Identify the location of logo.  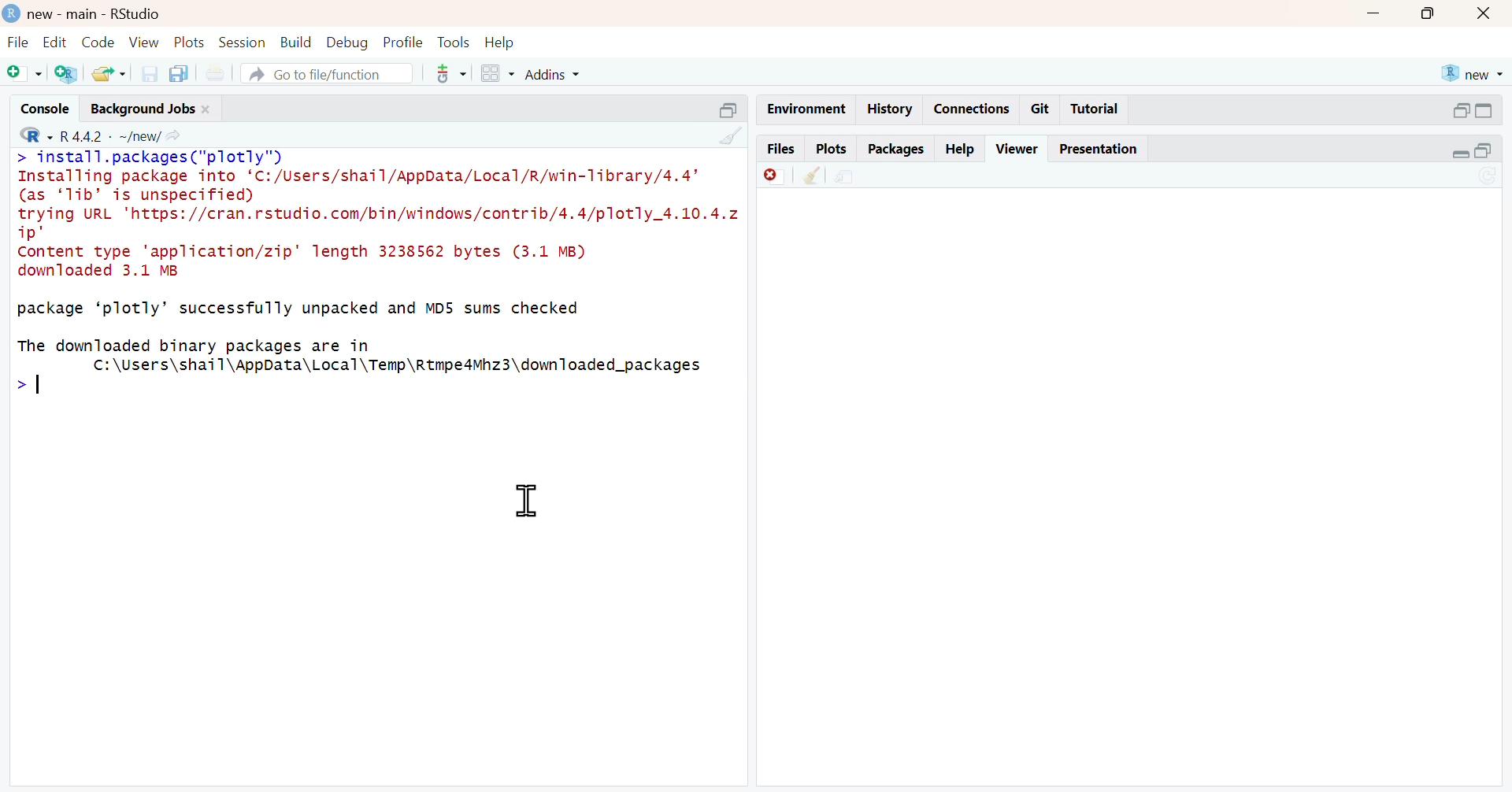
(9, 12).